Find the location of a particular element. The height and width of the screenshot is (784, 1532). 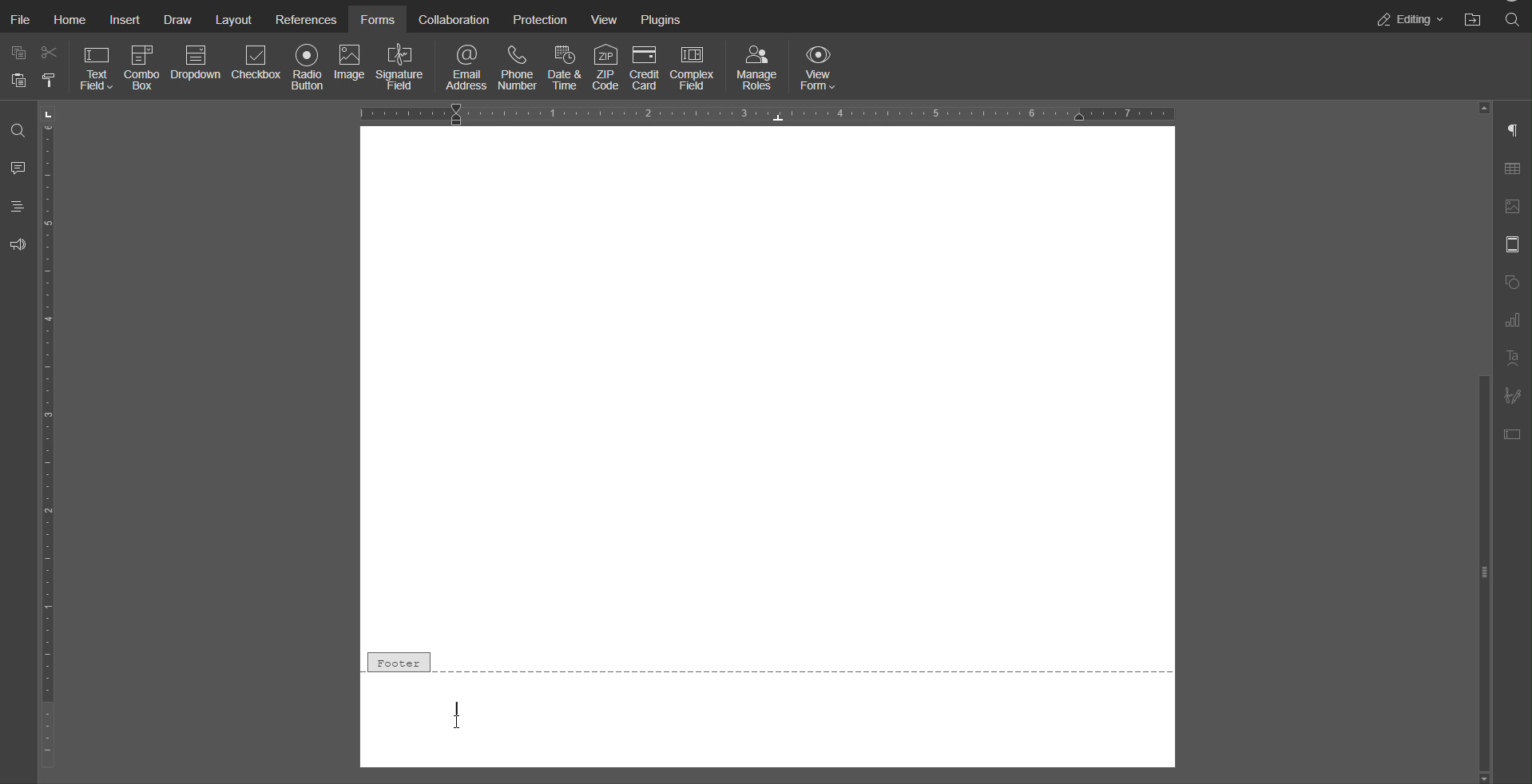

Text Field Settings is located at coordinates (1514, 434).